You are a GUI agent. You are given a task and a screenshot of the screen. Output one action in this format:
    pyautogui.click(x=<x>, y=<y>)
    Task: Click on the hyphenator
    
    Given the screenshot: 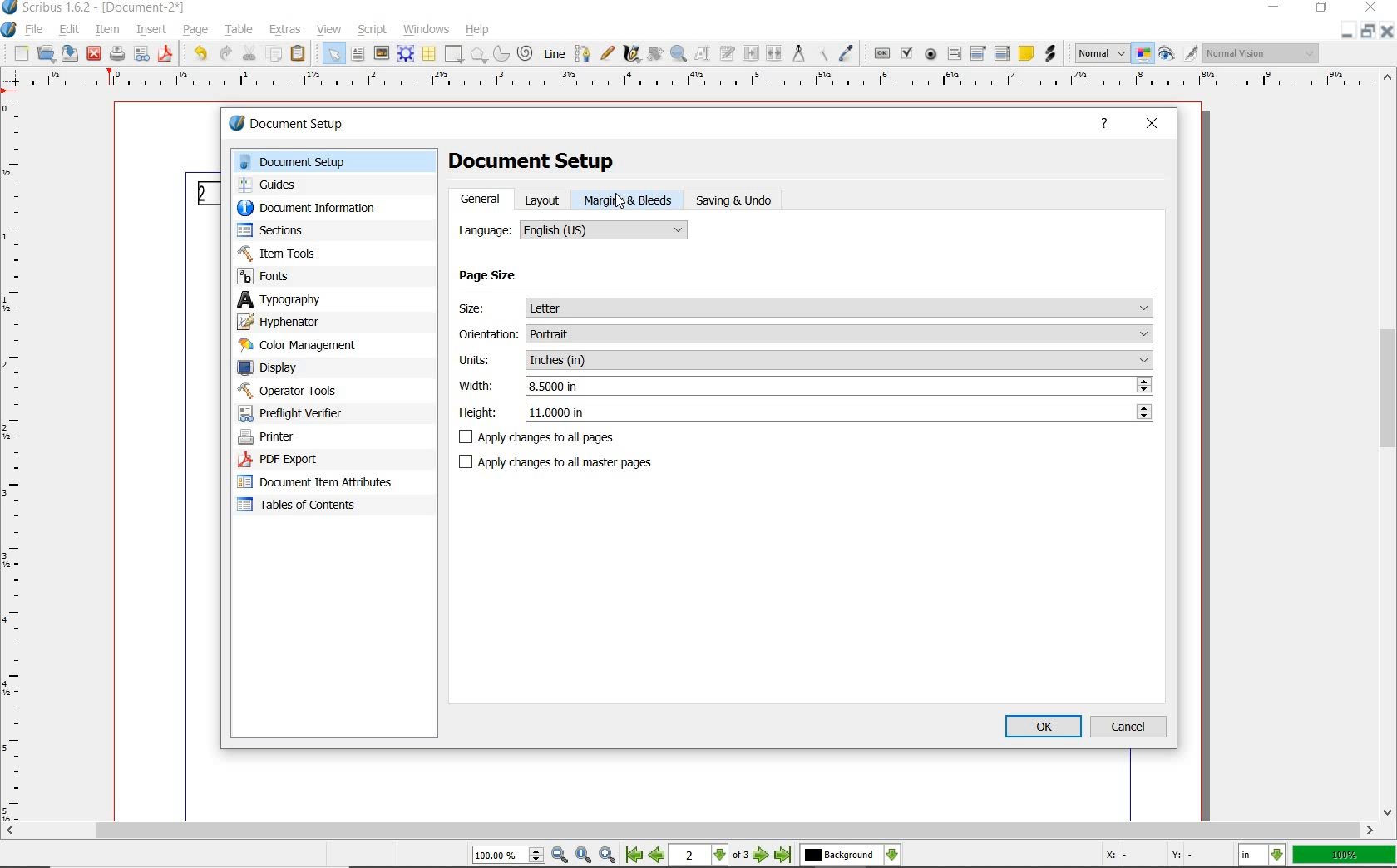 What is the action you would take?
    pyautogui.click(x=284, y=323)
    